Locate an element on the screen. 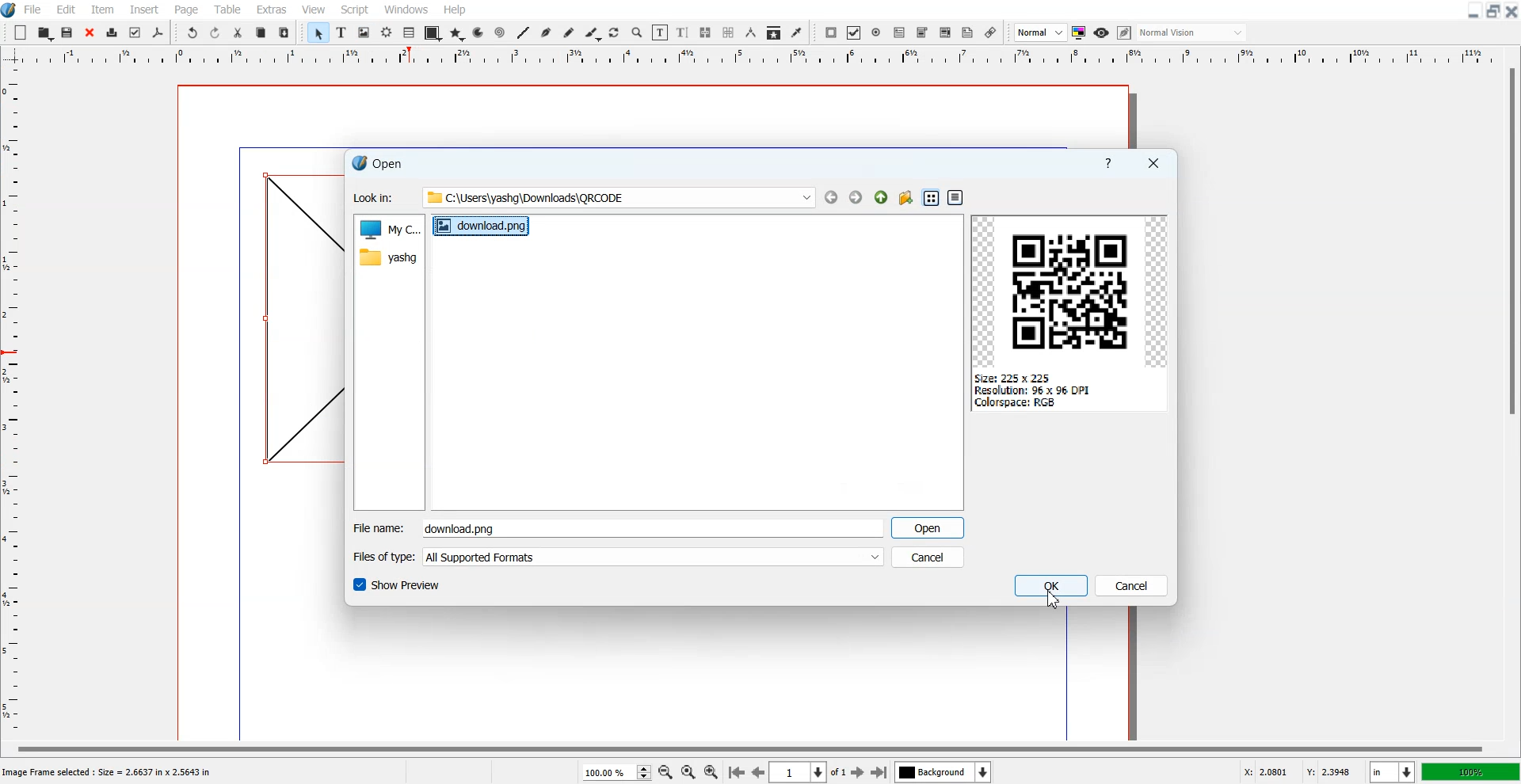 Image resolution: width=1521 pixels, height=784 pixels. PDF List Box is located at coordinates (946, 32).